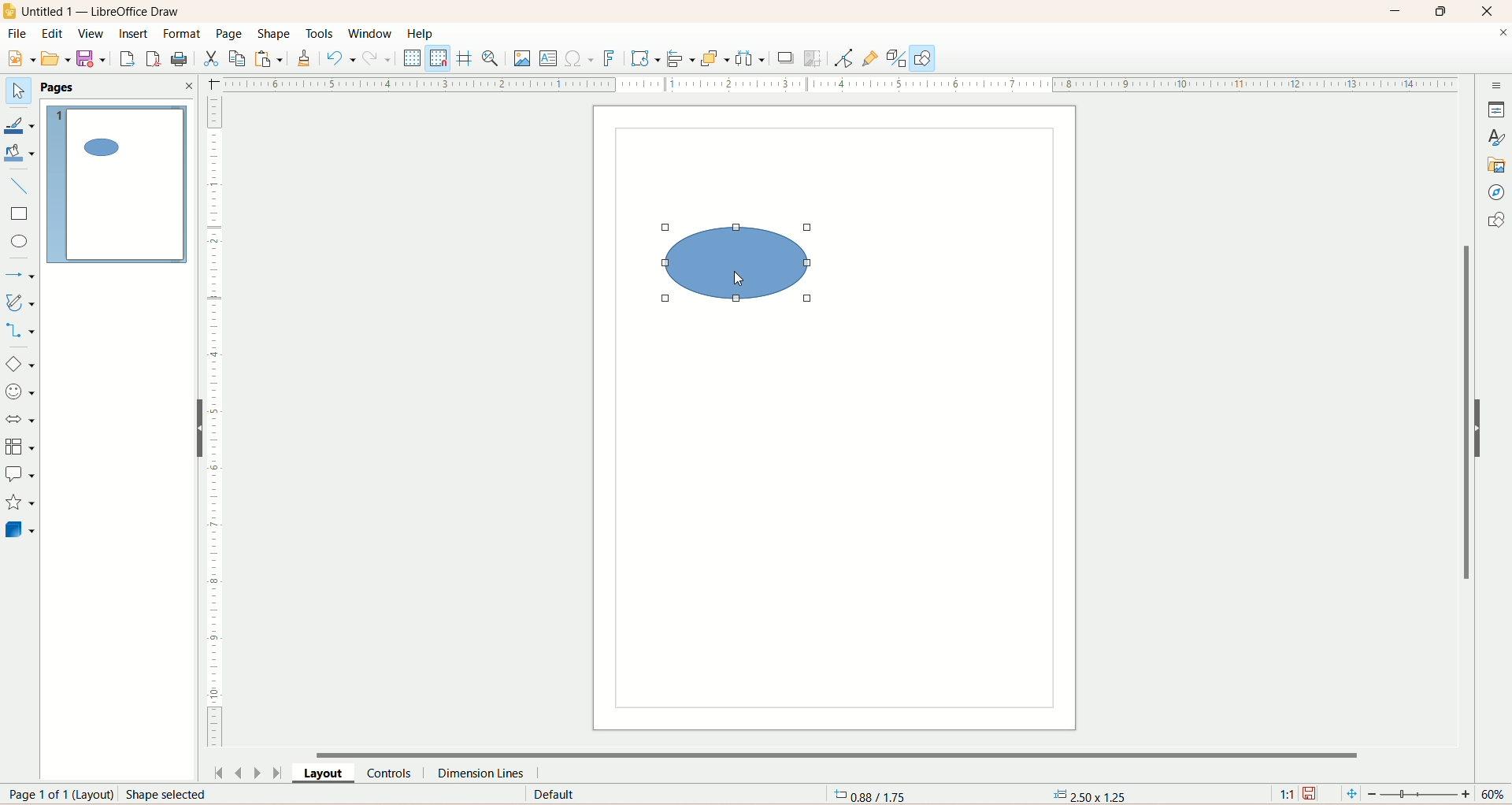  I want to click on vertical scroll bar, so click(1462, 421).